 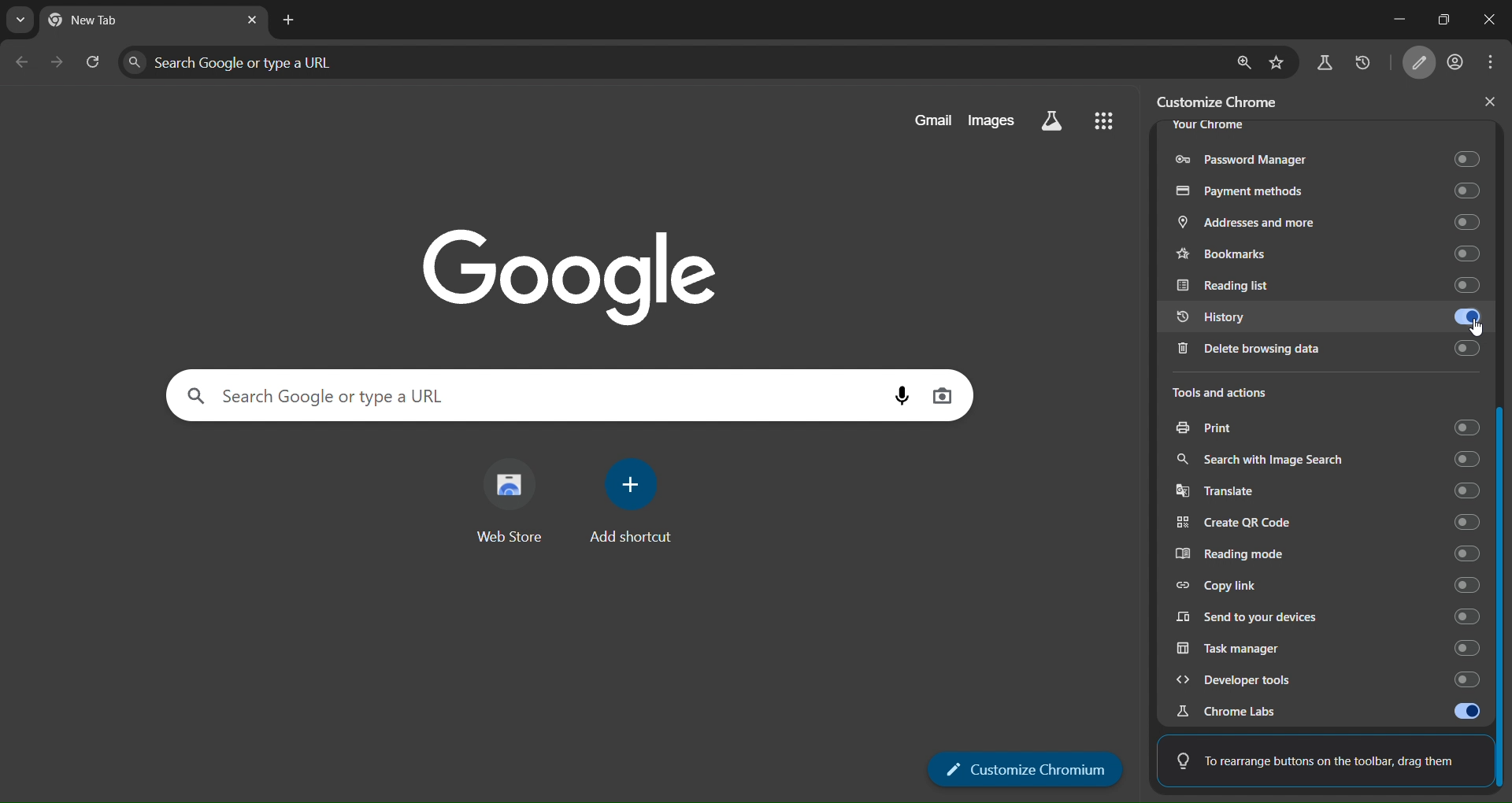 I want to click on image search, so click(x=942, y=394).